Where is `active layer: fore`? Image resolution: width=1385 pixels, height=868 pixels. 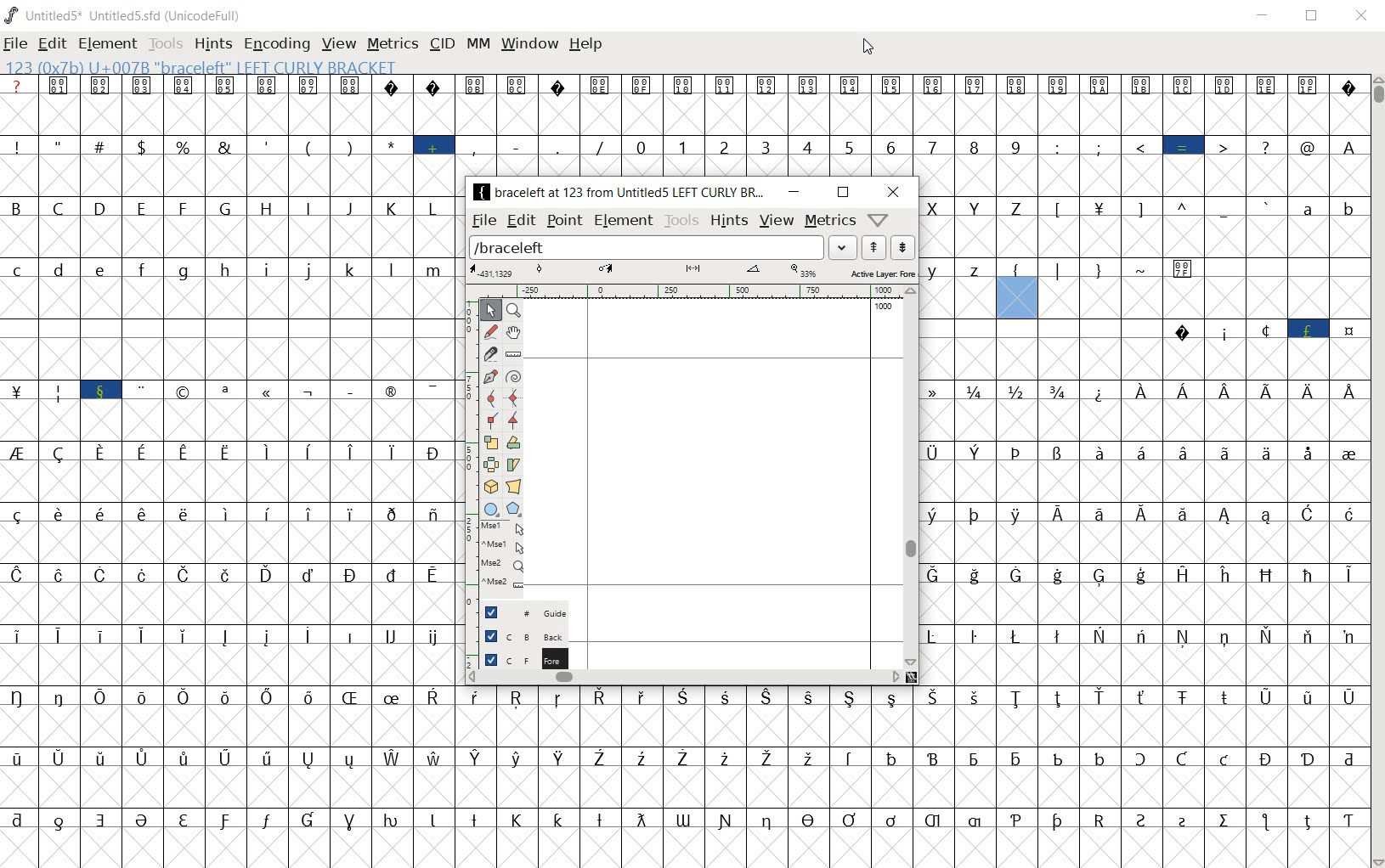 active layer: fore is located at coordinates (692, 271).